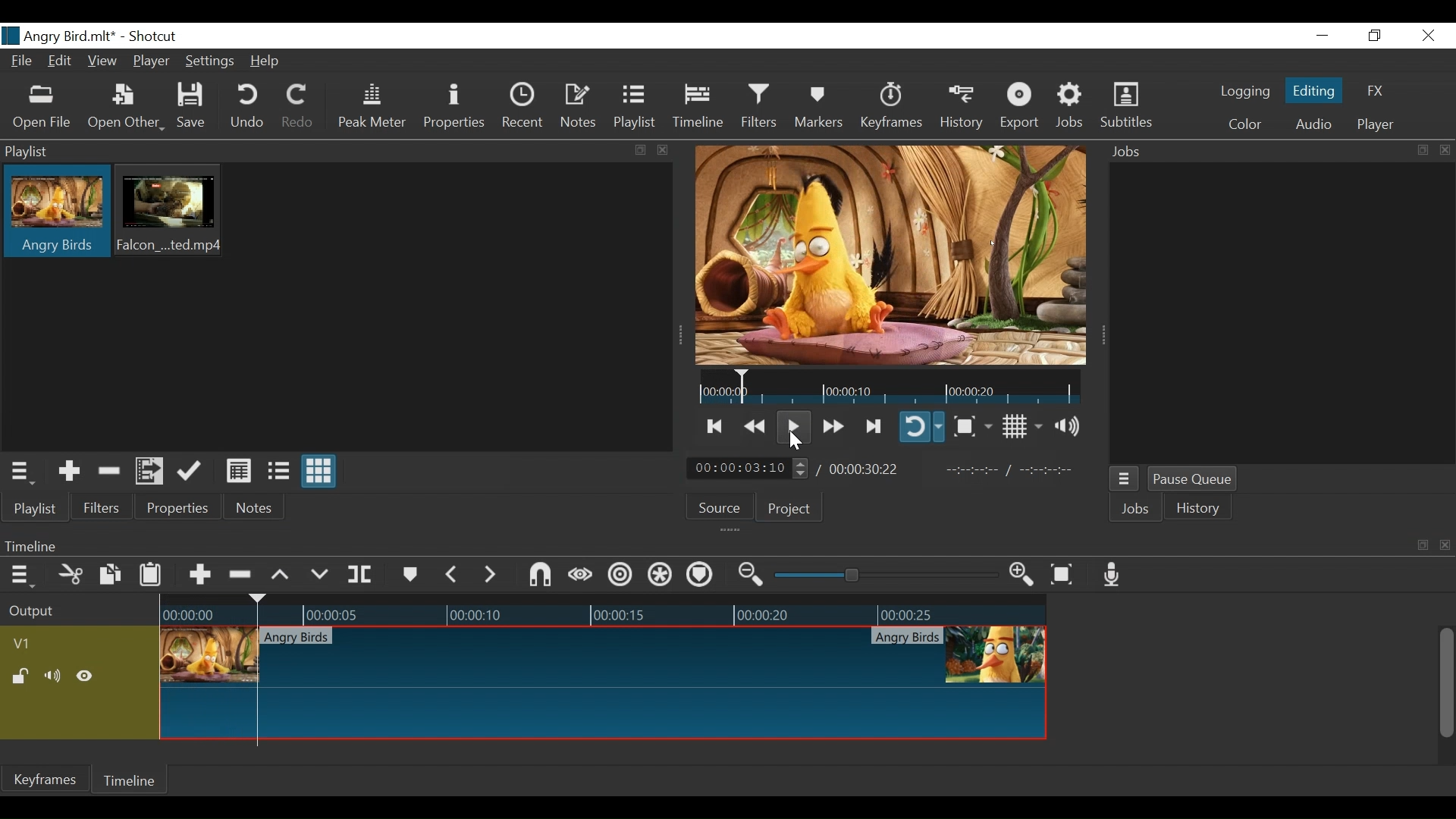 The width and height of the screenshot is (1456, 819). What do you see at coordinates (300, 106) in the screenshot?
I see `Redo` at bounding box center [300, 106].